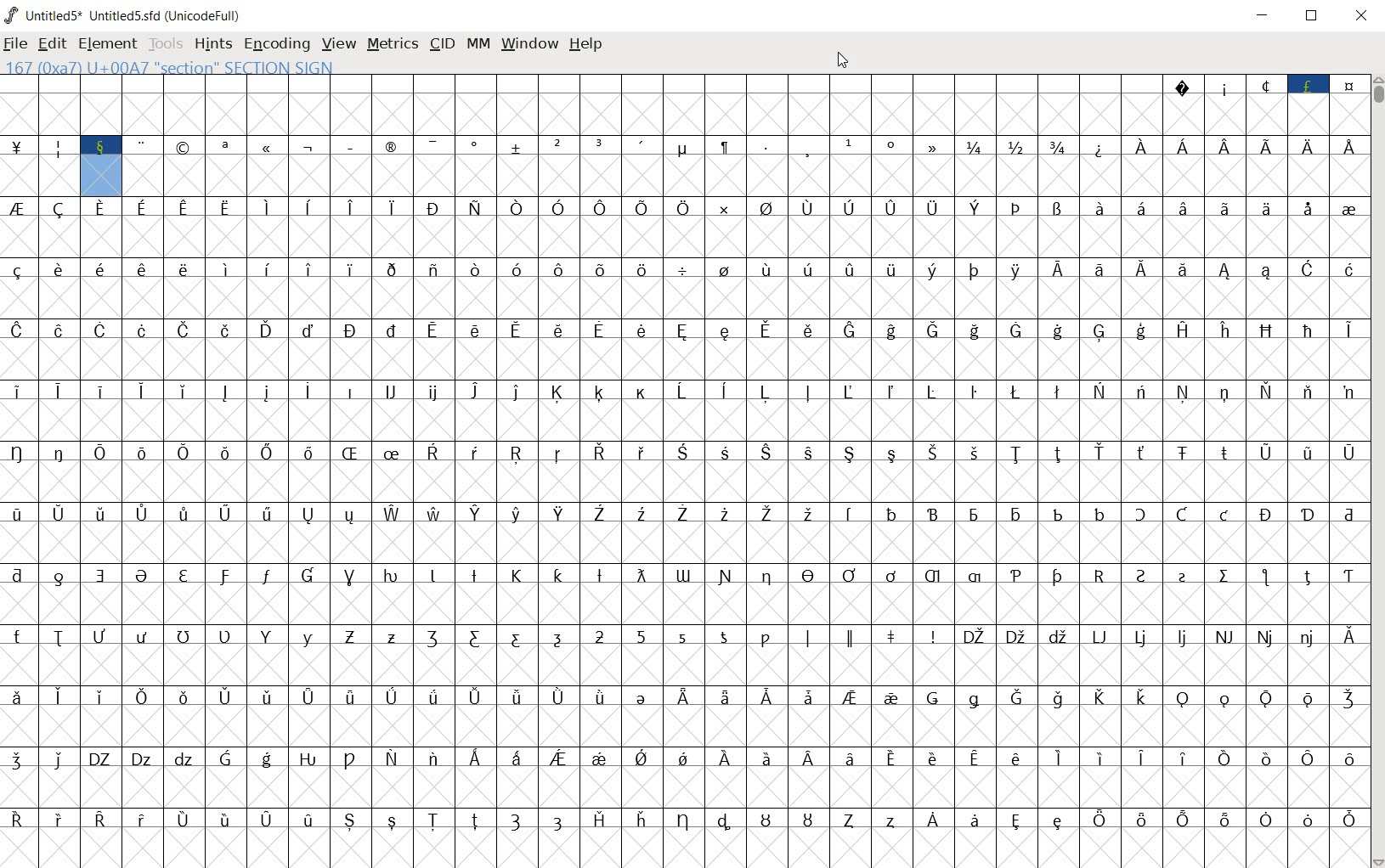 The width and height of the screenshot is (1385, 868). I want to click on symbol, so click(726, 288).